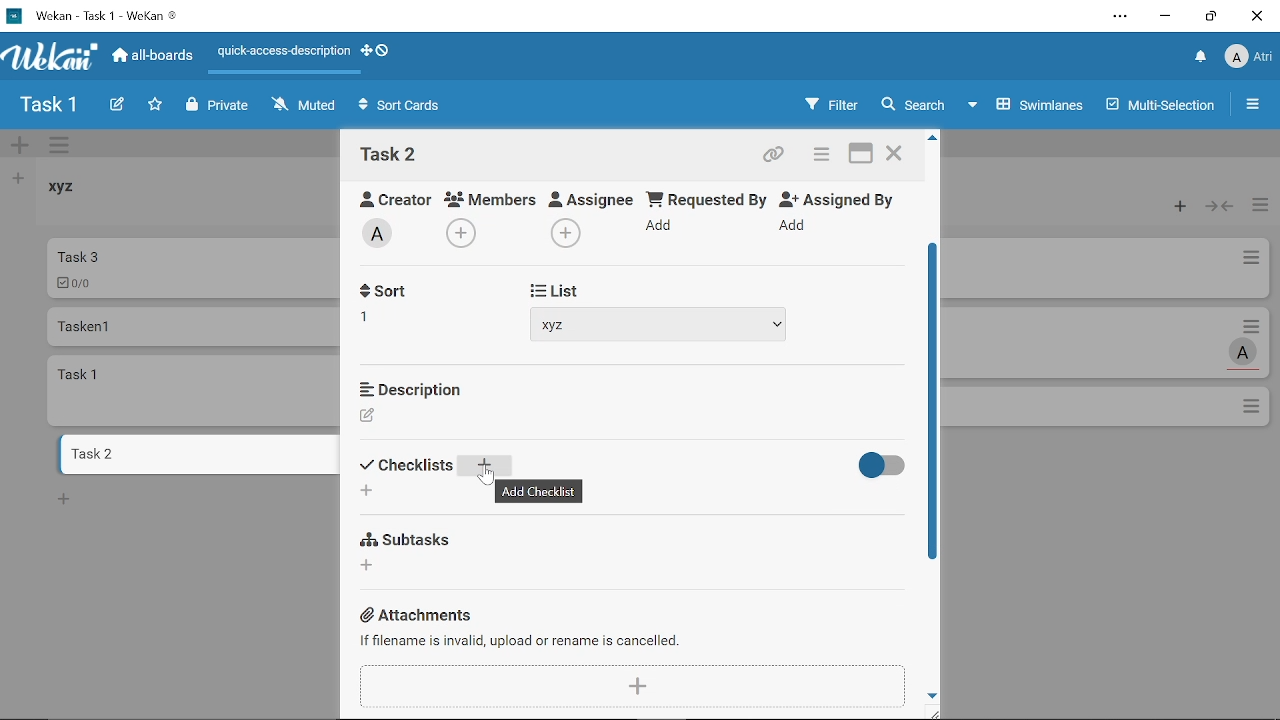 The width and height of the screenshot is (1280, 720). Describe the element at coordinates (388, 196) in the screenshot. I see `Creator` at that location.